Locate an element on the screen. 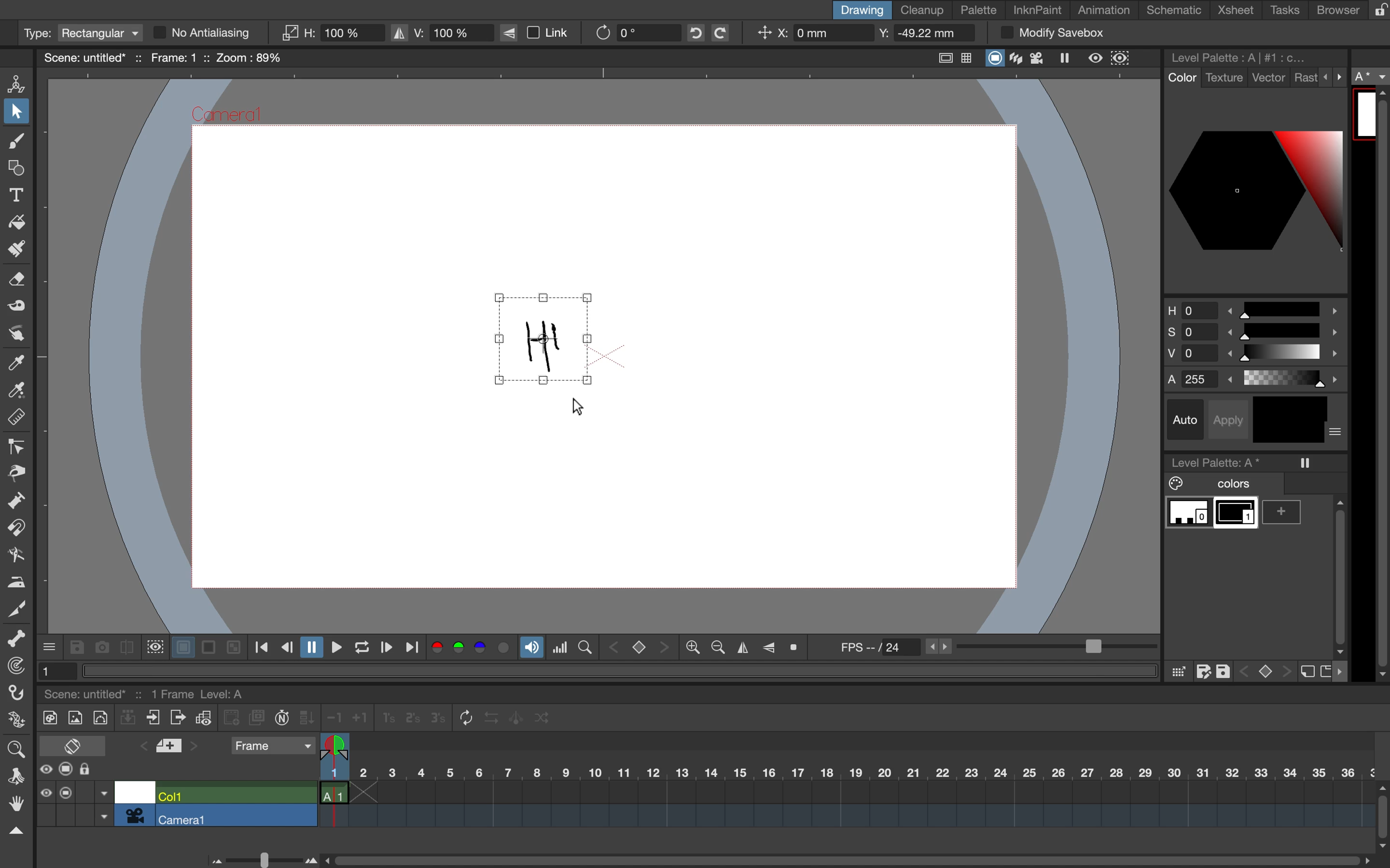 Image resolution: width=1390 pixels, height=868 pixels. paint brush tool is located at coordinates (13, 251).